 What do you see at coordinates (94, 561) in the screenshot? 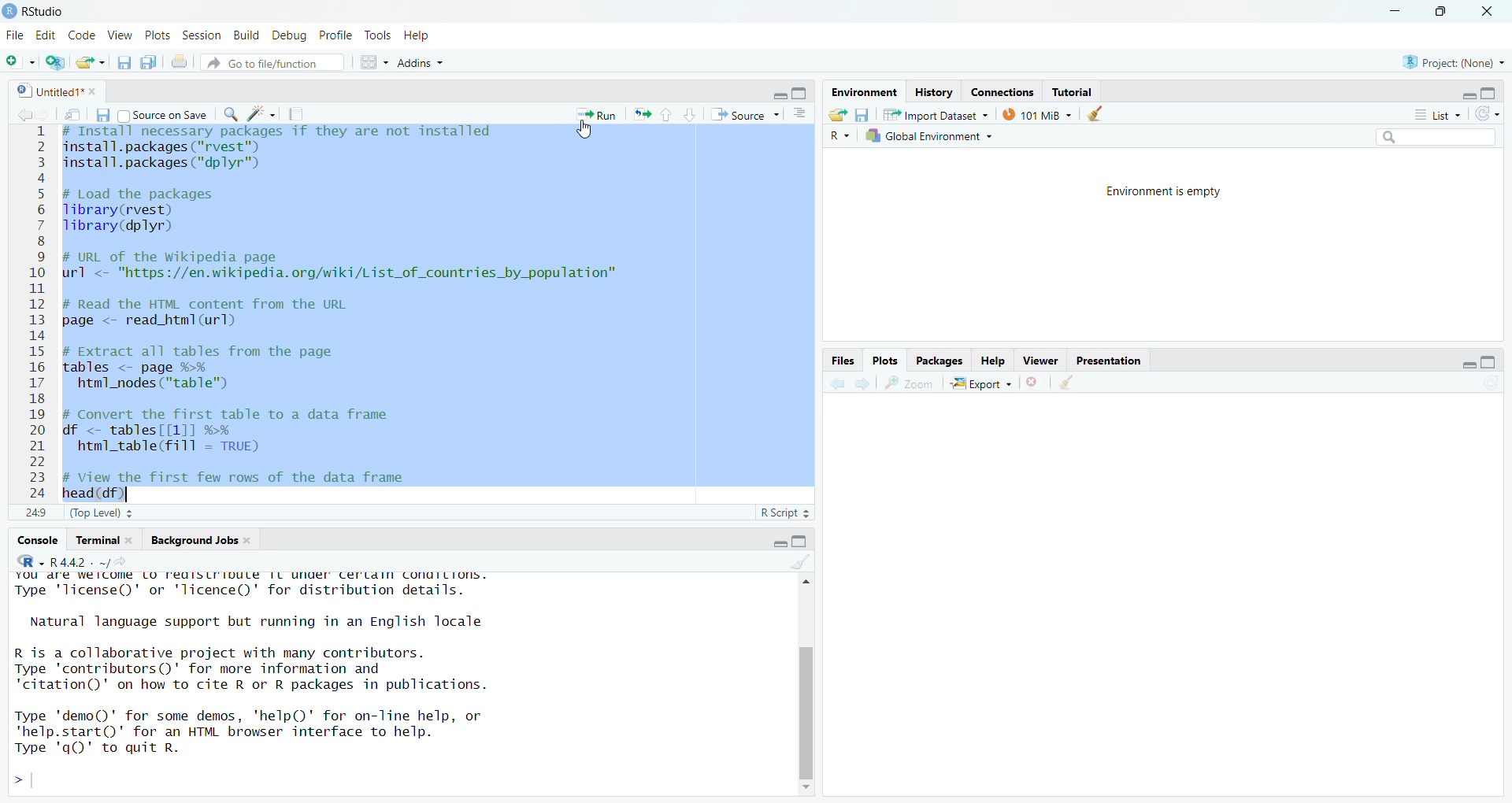
I see `R 4.4.2 .~/` at bounding box center [94, 561].